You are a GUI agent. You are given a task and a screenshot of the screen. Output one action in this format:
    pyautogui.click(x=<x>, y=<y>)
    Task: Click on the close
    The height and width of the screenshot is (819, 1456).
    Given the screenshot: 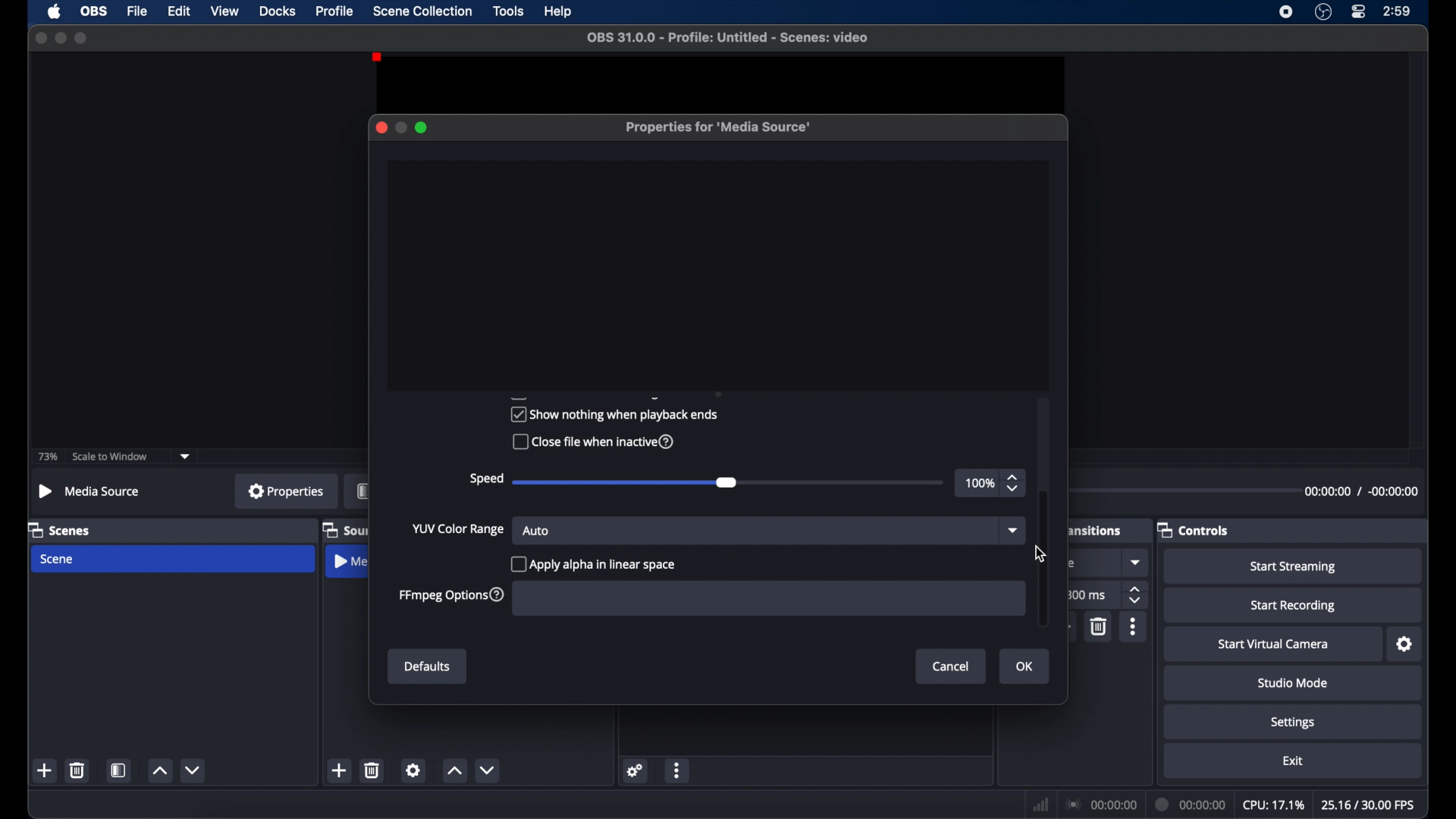 What is the action you would take?
    pyautogui.click(x=381, y=127)
    